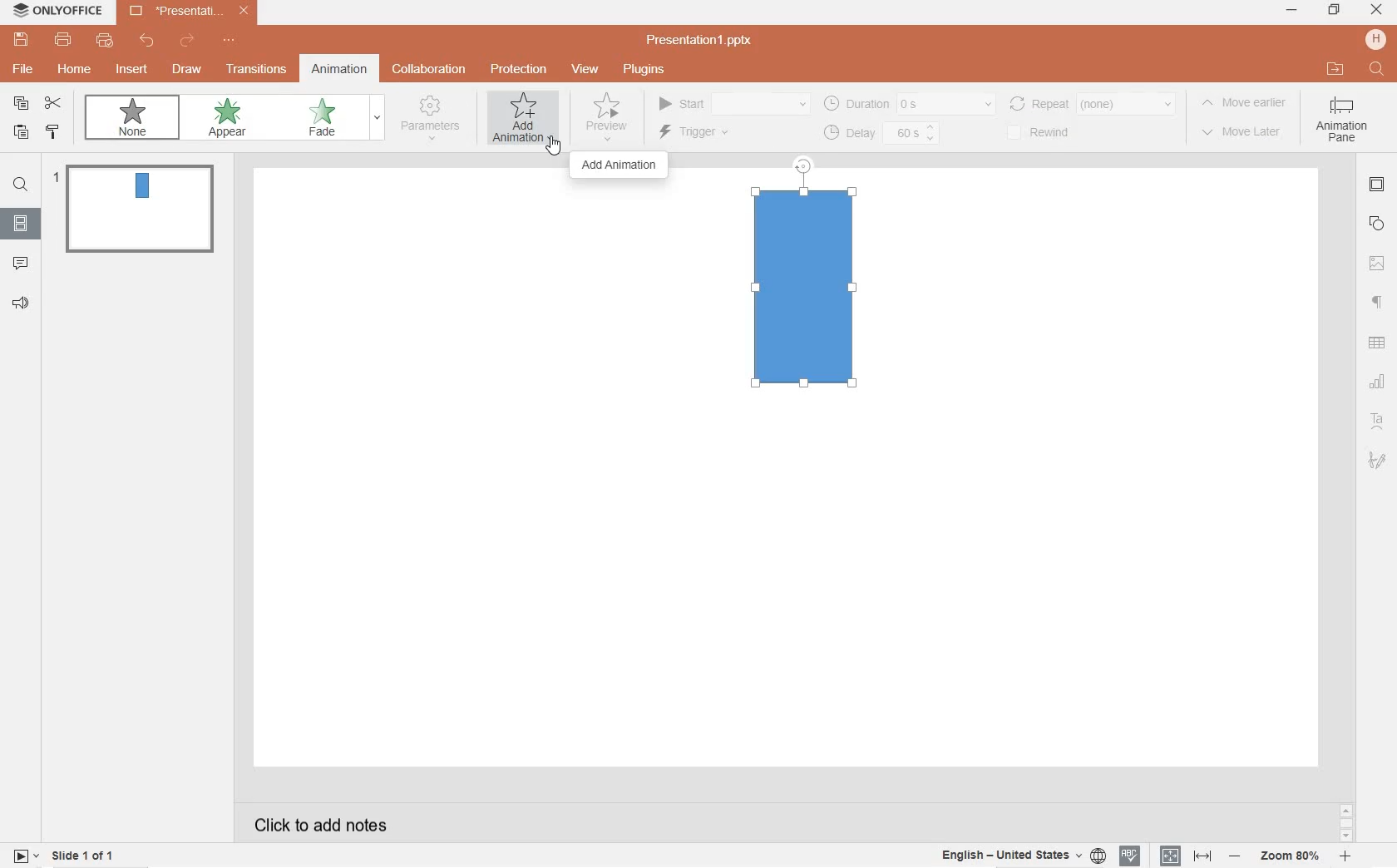 The height and width of the screenshot is (868, 1397). Describe the element at coordinates (1375, 39) in the screenshot. I see `HP` at that location.